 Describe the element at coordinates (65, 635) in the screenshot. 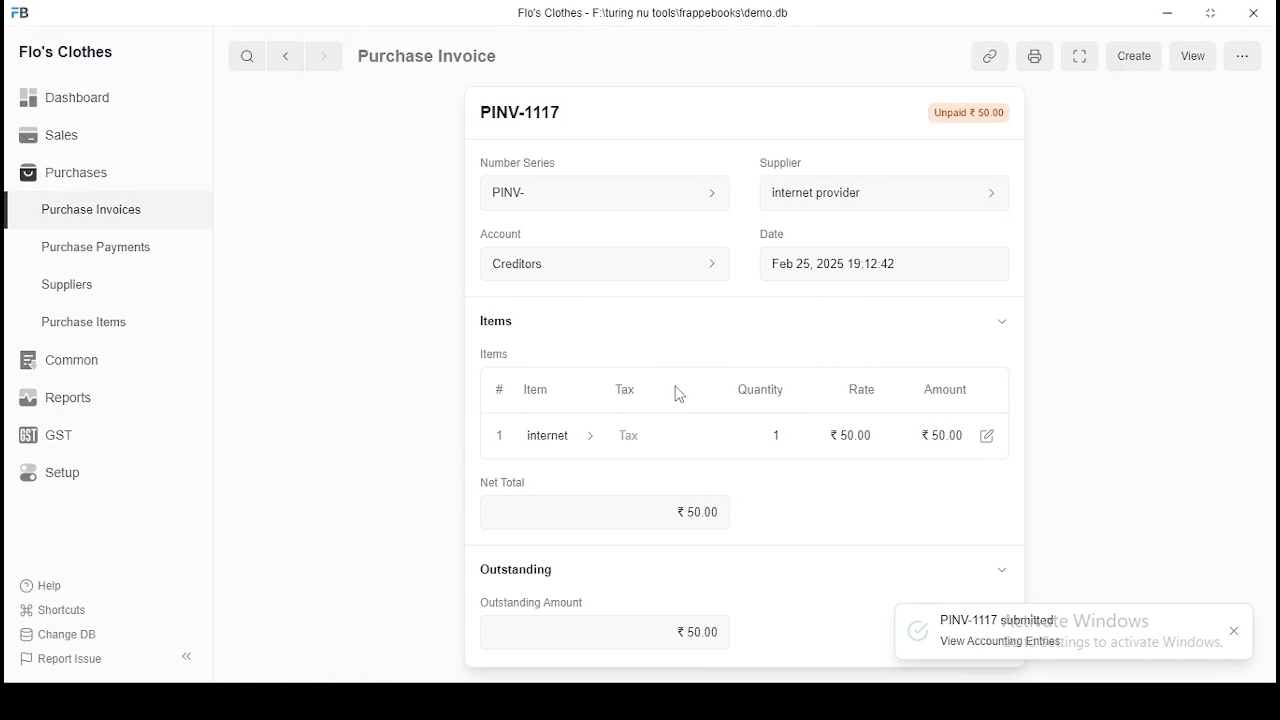

I see `Change DB` at that location.